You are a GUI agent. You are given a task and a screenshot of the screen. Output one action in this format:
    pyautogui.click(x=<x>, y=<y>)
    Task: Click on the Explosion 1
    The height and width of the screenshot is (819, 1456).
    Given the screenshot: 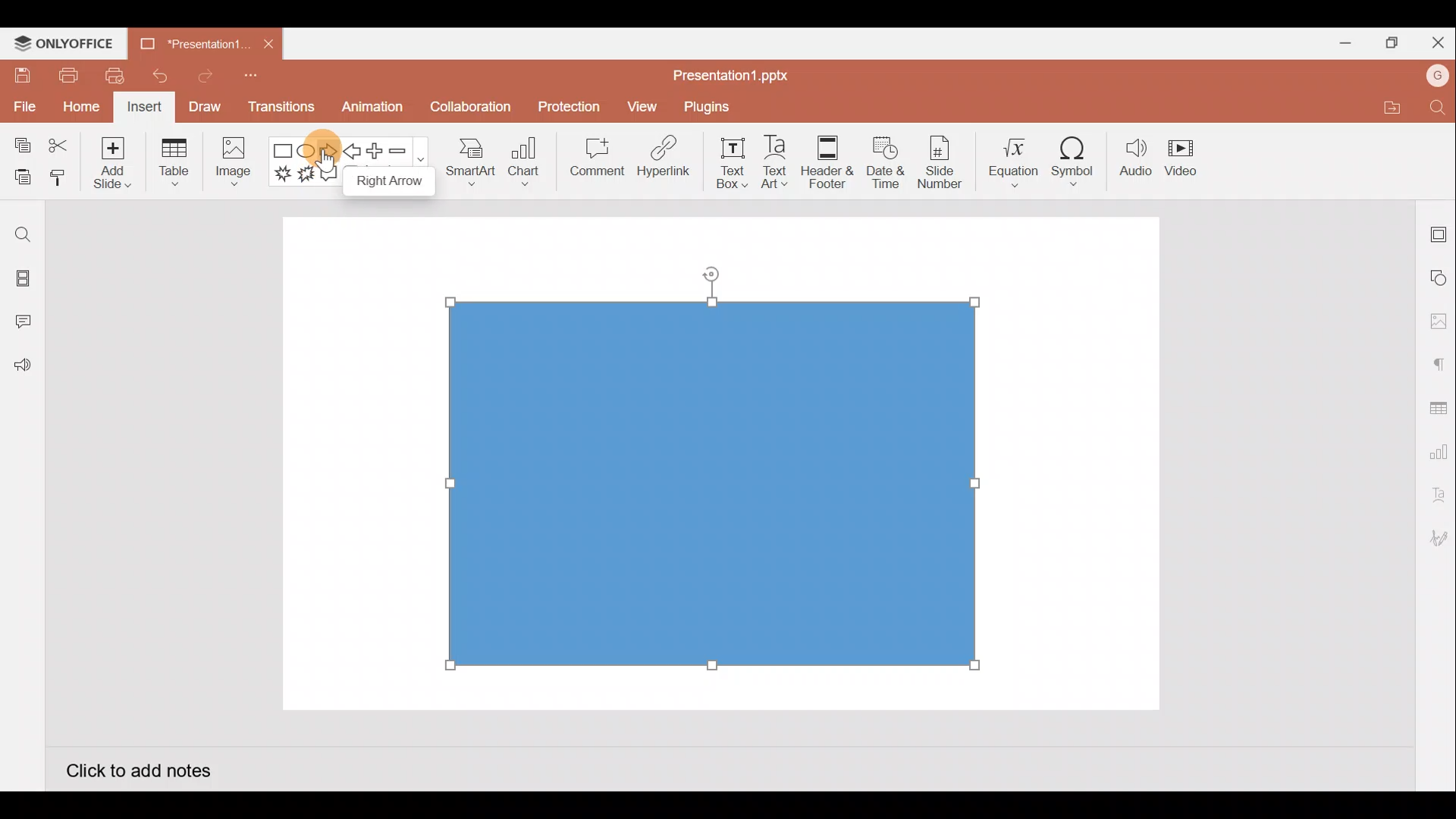 What is the action you would take?
    pyautogui.click(x=283, y=173)
    